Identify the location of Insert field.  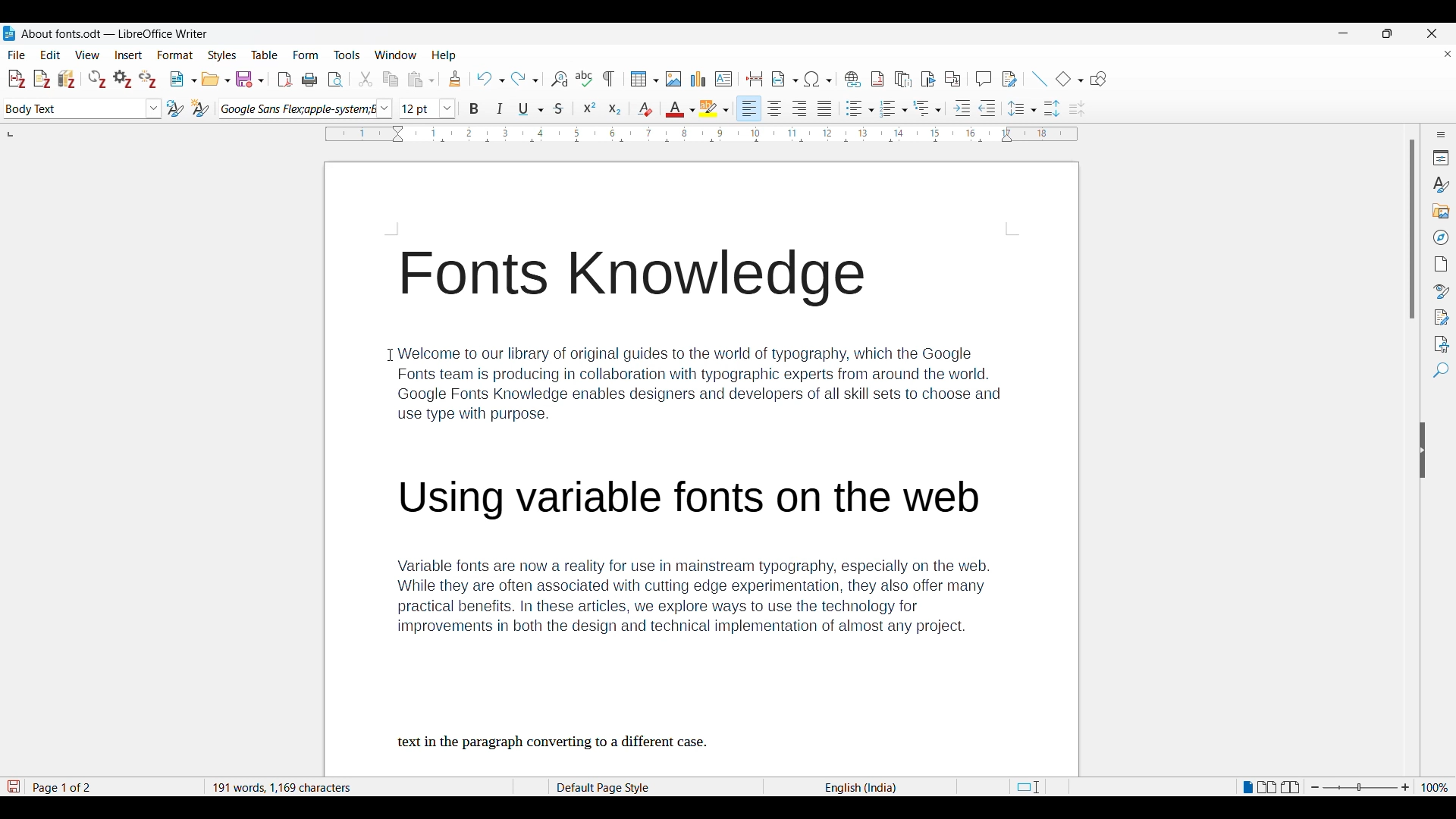
(785, 79).